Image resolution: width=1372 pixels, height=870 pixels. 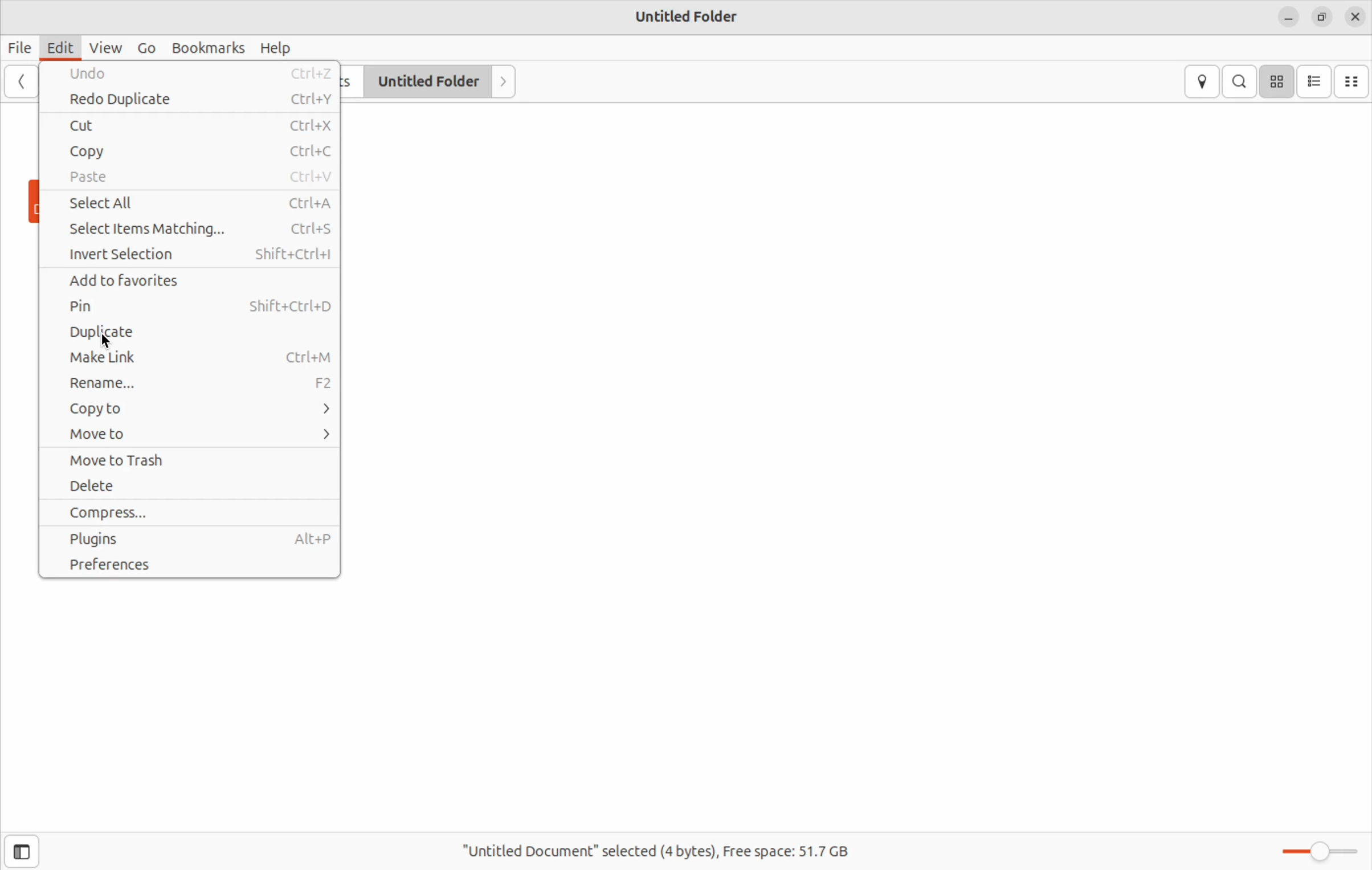 What do you see at coordinates (109, 344) in the screenshot?
I see `cursor` at bounding box center [109, 344].